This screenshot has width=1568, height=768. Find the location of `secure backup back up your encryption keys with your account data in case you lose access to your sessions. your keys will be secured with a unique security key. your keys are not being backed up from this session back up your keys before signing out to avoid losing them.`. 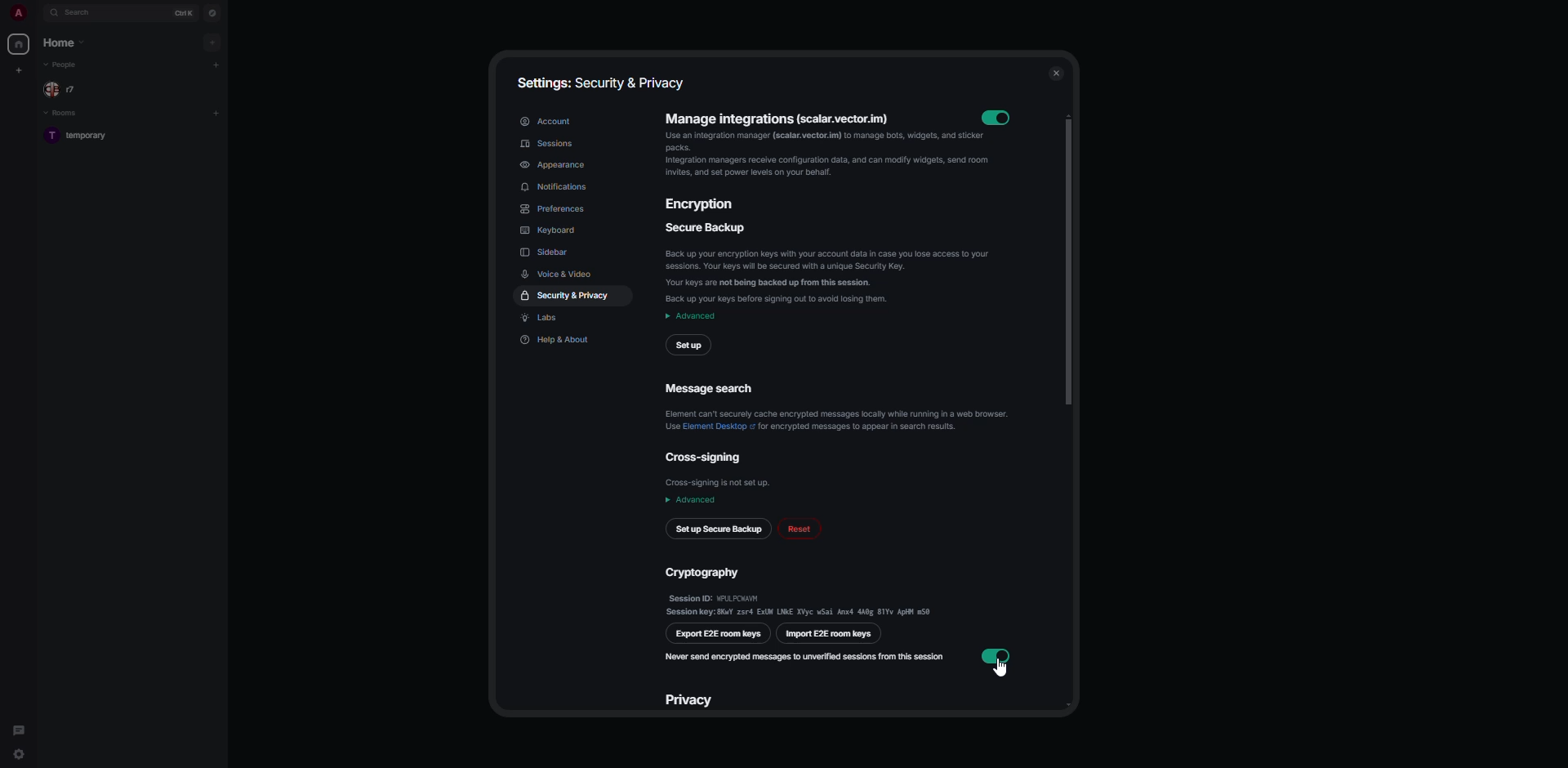

secure backup back up your encryption keys with your account data in case you lose access to your sessions. your keys will be secured with a unique security key. your keys are not being backed up from this session back up your keys before signing out to avoid losing them. is located at coordinates (831, 264).